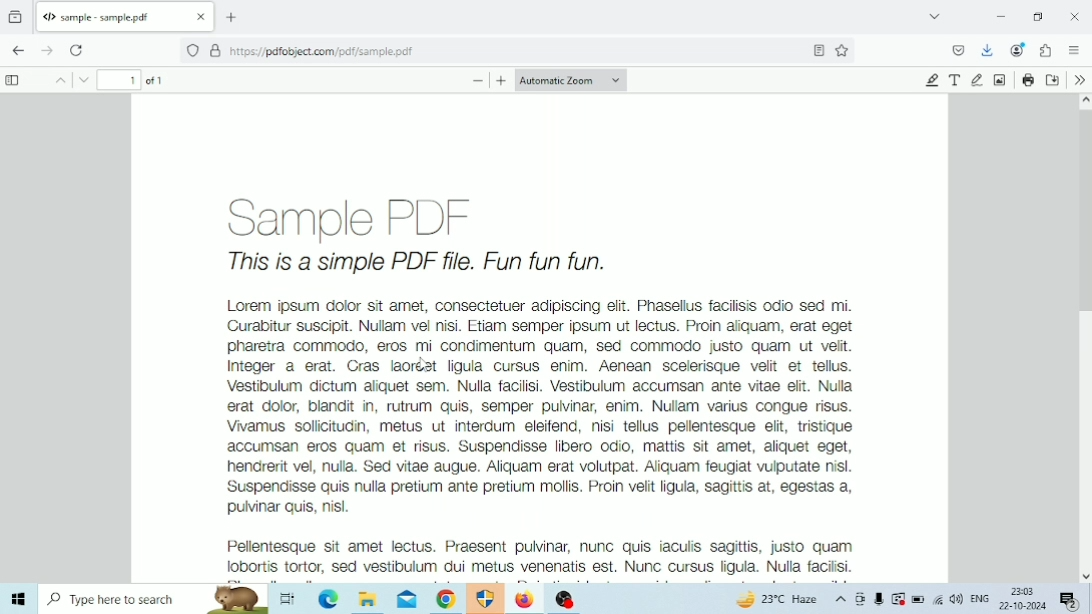 This screenshot has height=614, width=1092. What do you see at coordinates (570, 80) in the screenshot?
I see `Zoom options` at bounding box center [570, 80].